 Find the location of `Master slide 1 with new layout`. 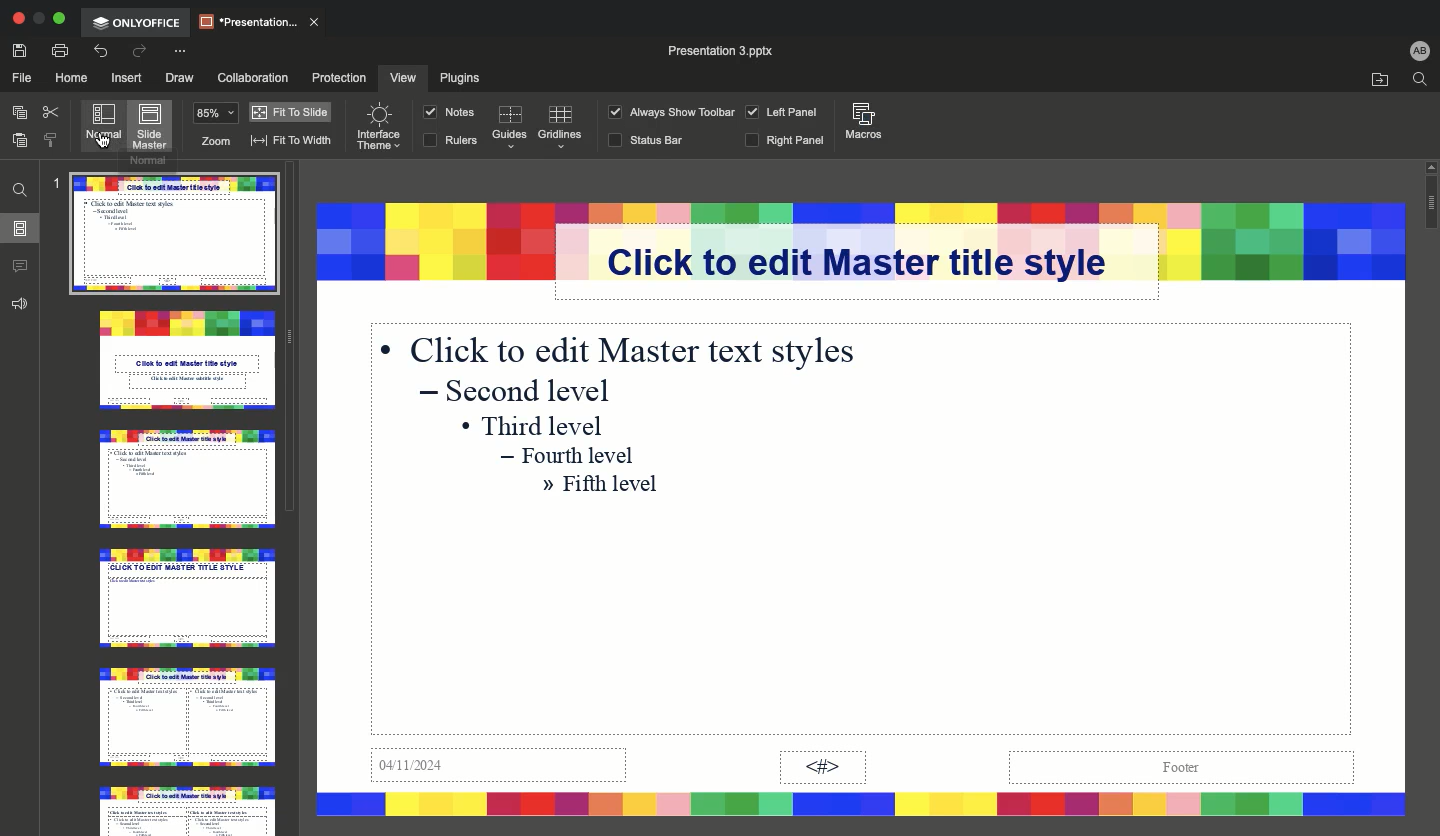

Master slide 1 with new layout is located at coordinates (175, 238).